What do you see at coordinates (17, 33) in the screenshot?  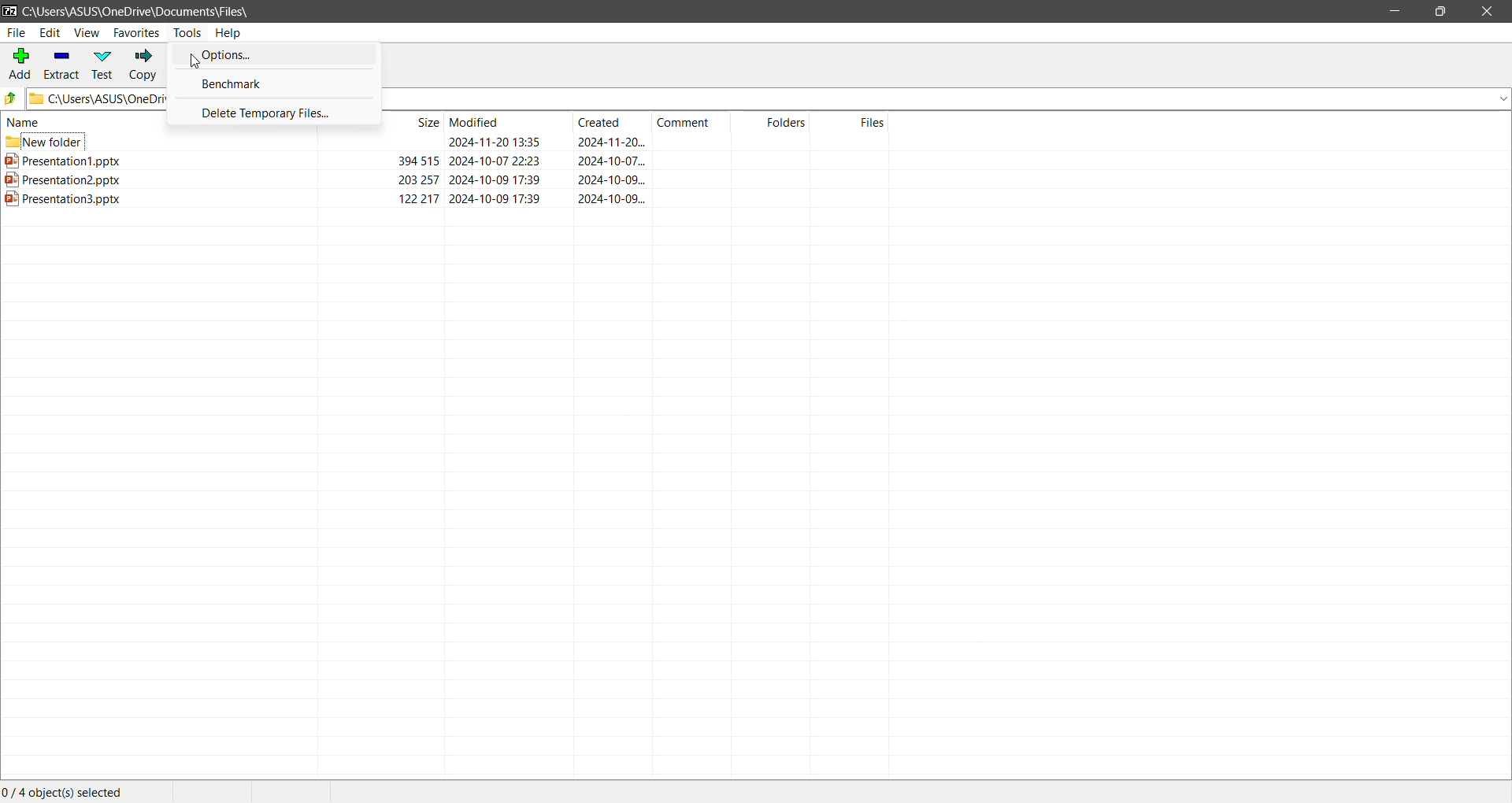 I see `File` at bounding box center [17, 33].